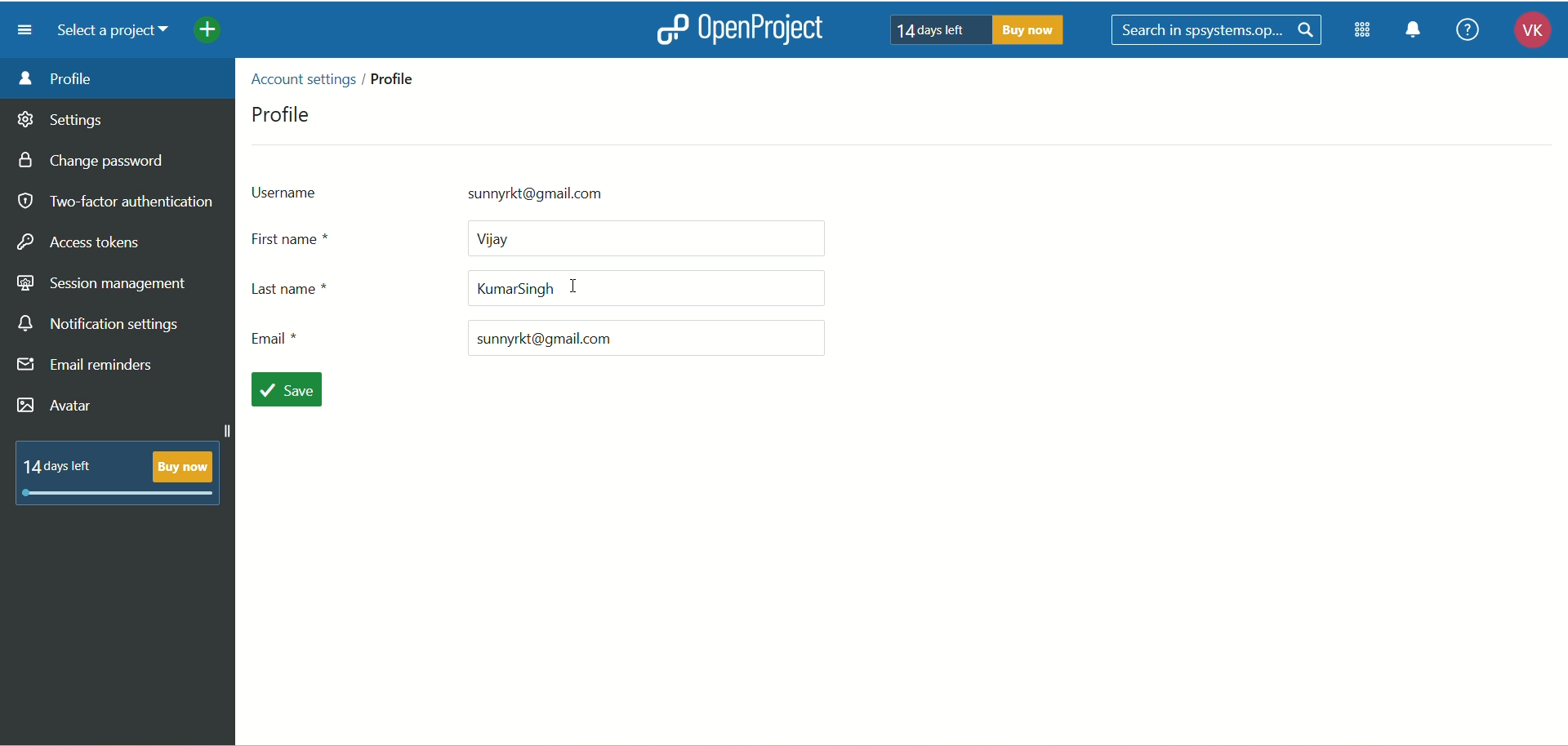 Image resolution: width=1568 pixels, height=746 pixels. I want to click on notification settings, so click(100, 325).